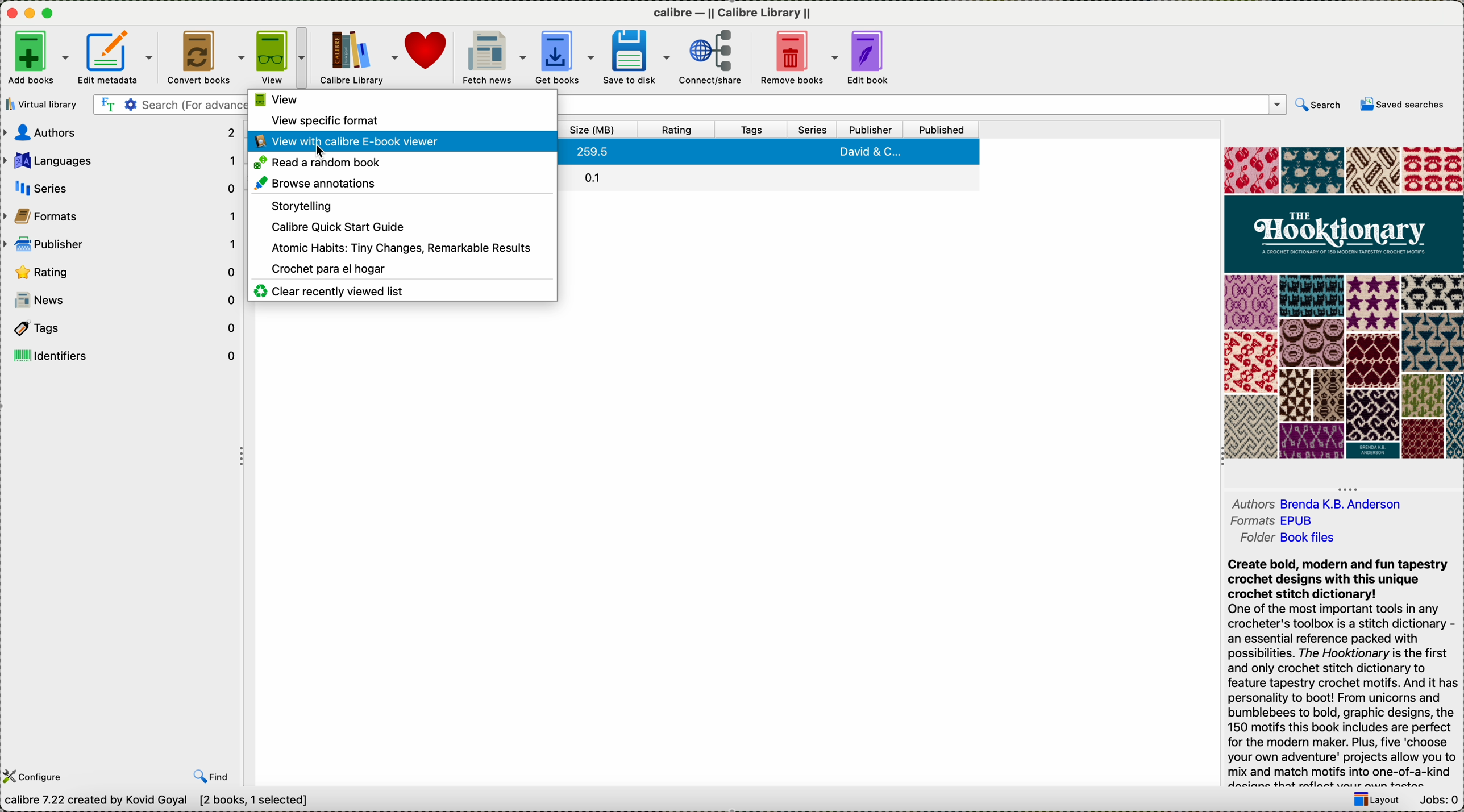  Describe the element at coordinates (924, 103) in the screenshot. I see `search bar` at that location.